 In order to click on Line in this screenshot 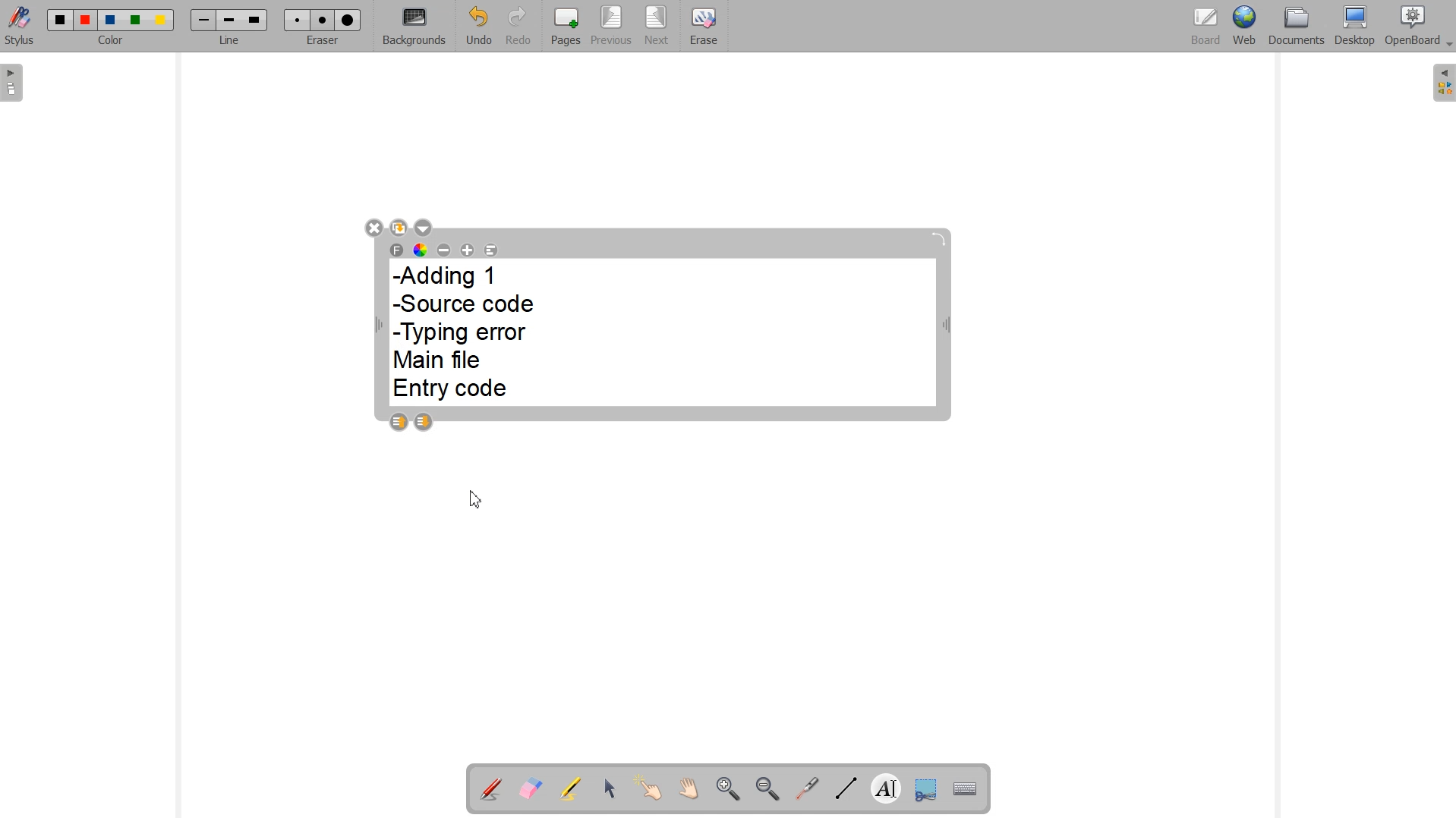, I will do `click(230, 41)`.